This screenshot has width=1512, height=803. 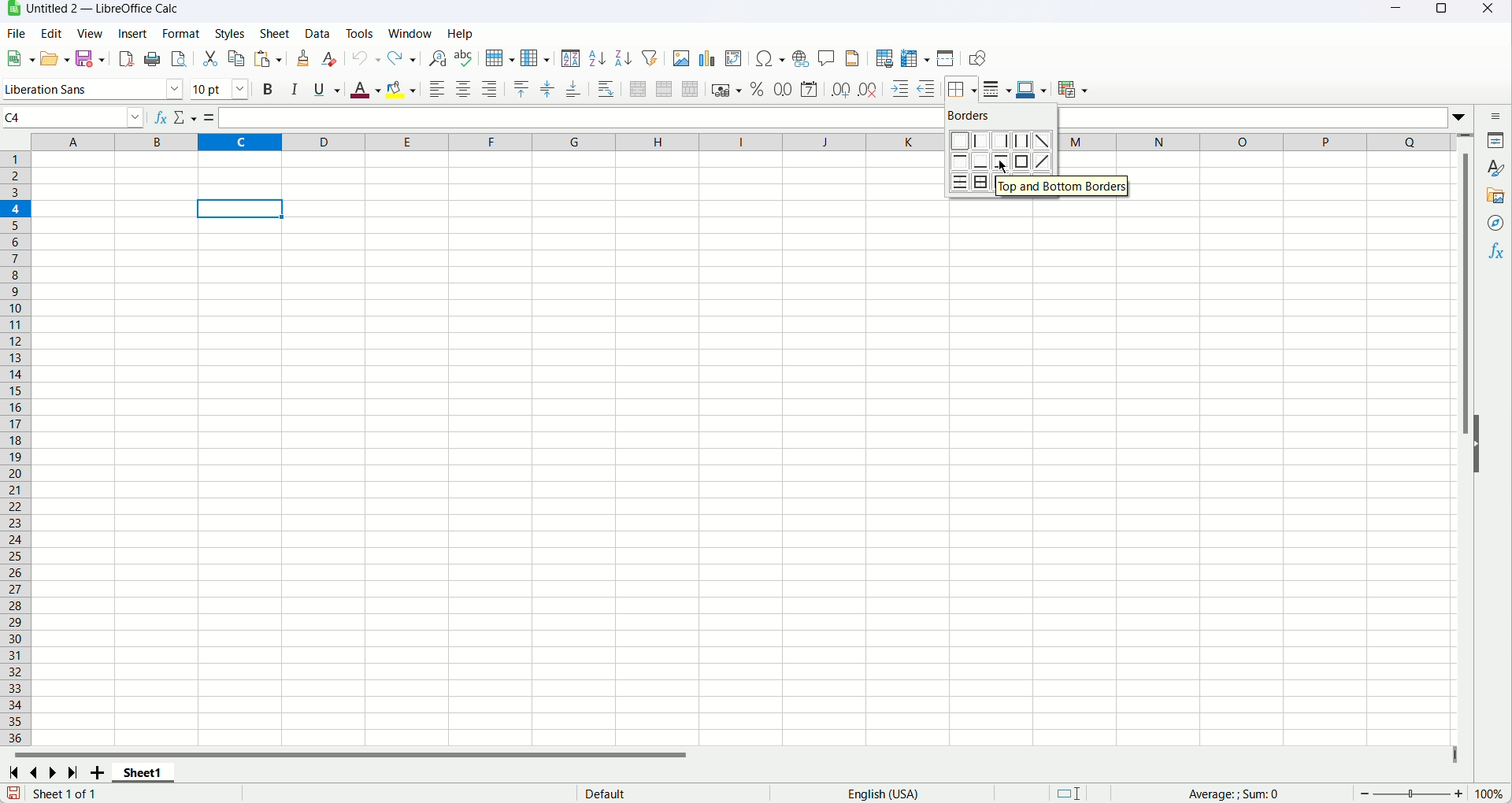 I want to click on Header and footer, so click(x=852, y=58).